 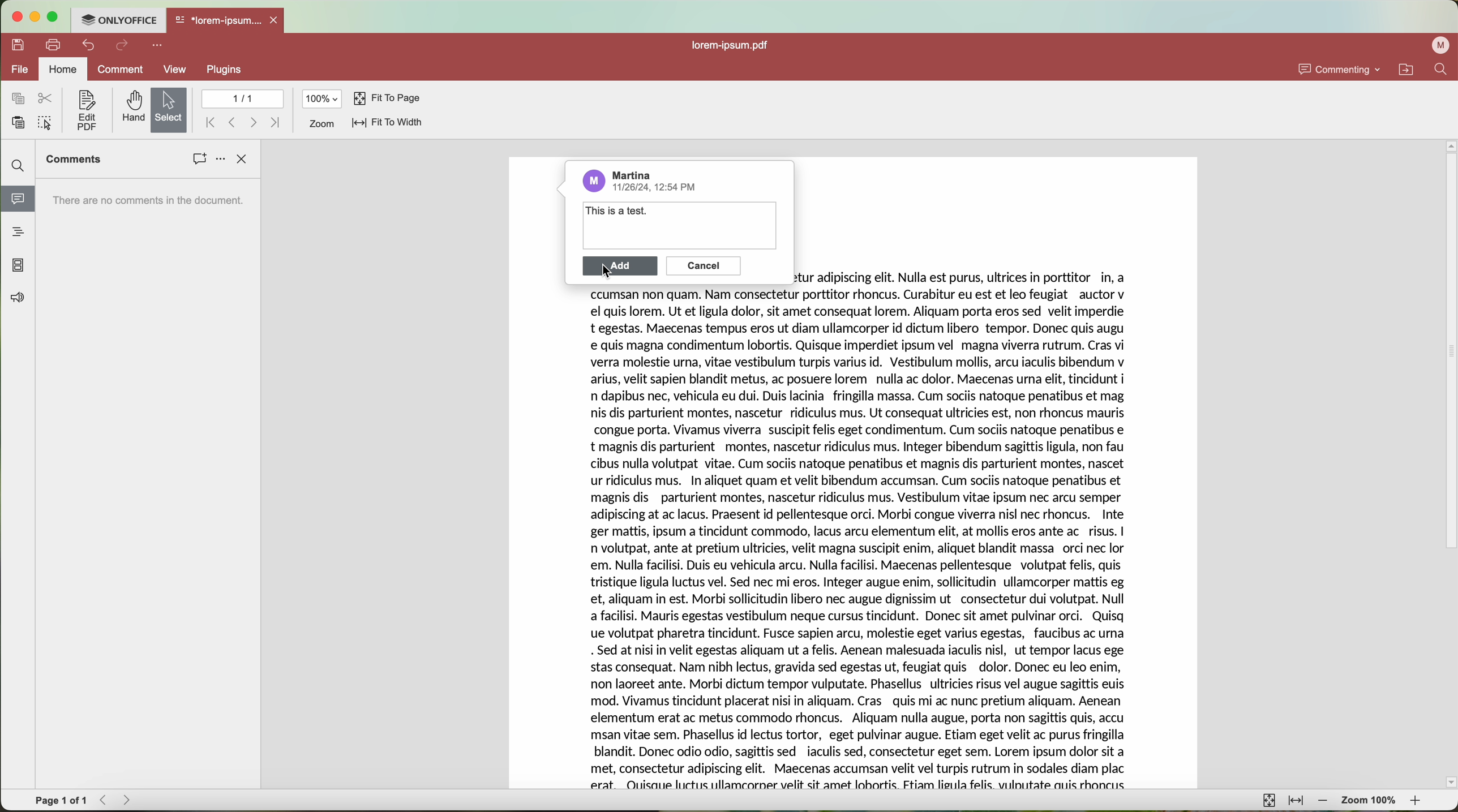 I want to click on click on comments, so click(x=17, y=201).